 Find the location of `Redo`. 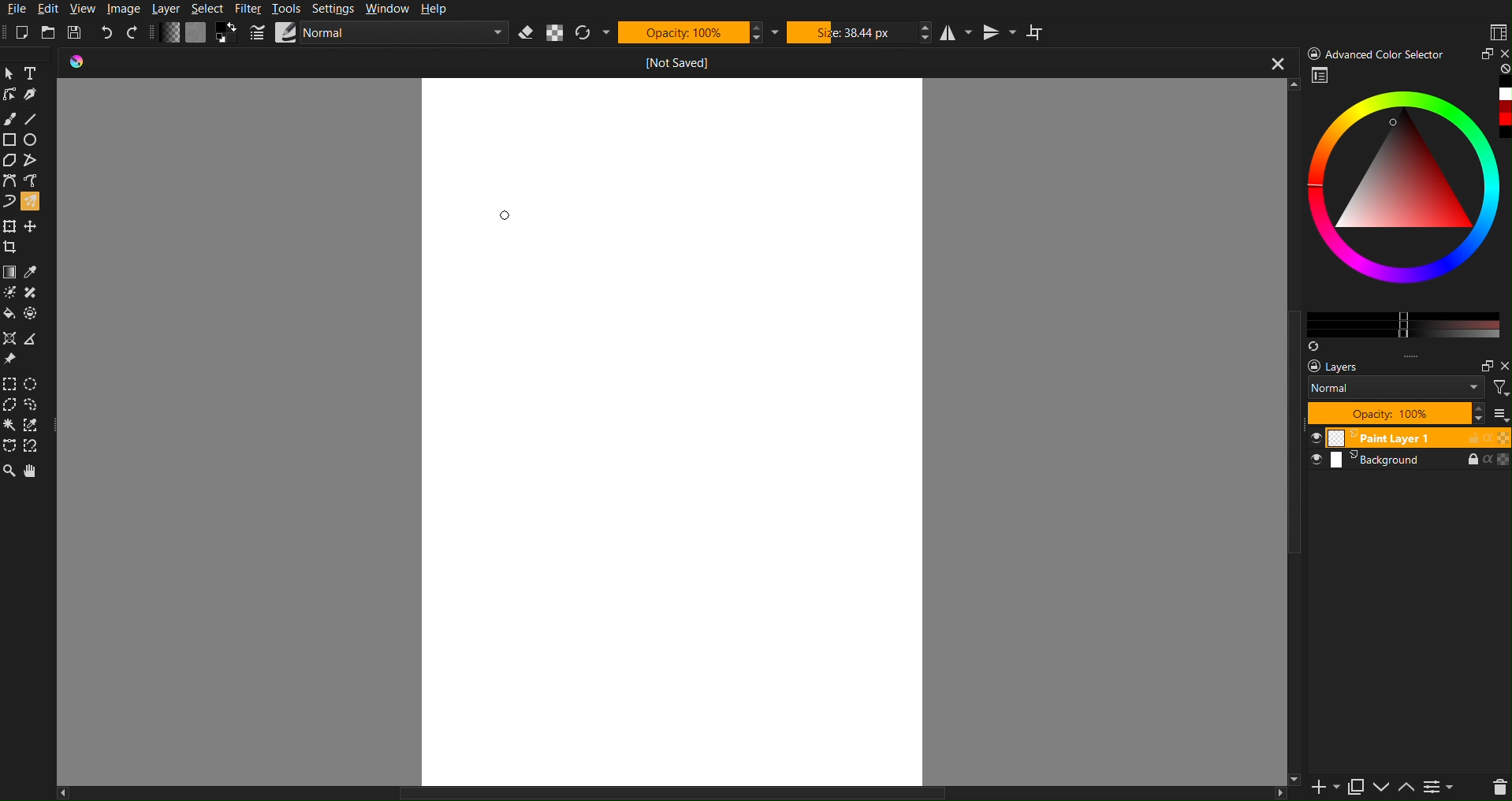

Redo is located at coordinates (133, 33).